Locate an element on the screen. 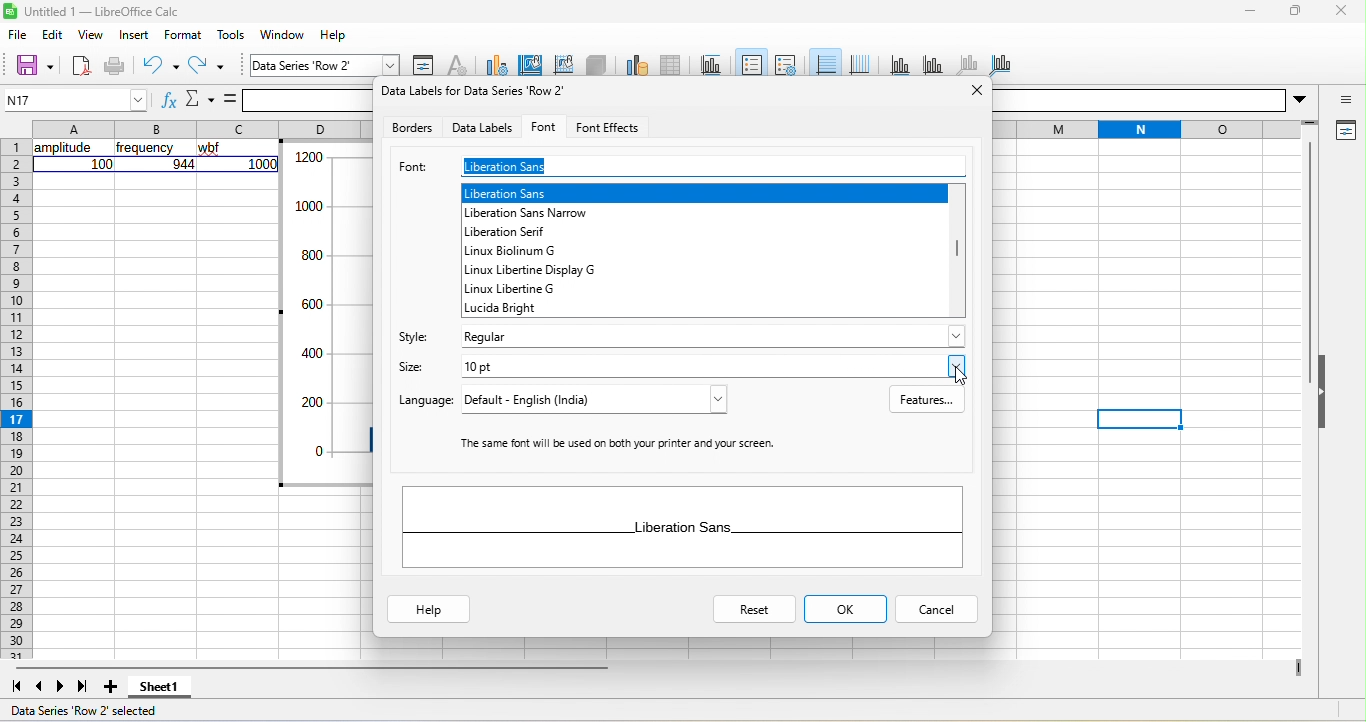  vertical scroll bar is located at coordinates (955, 267).